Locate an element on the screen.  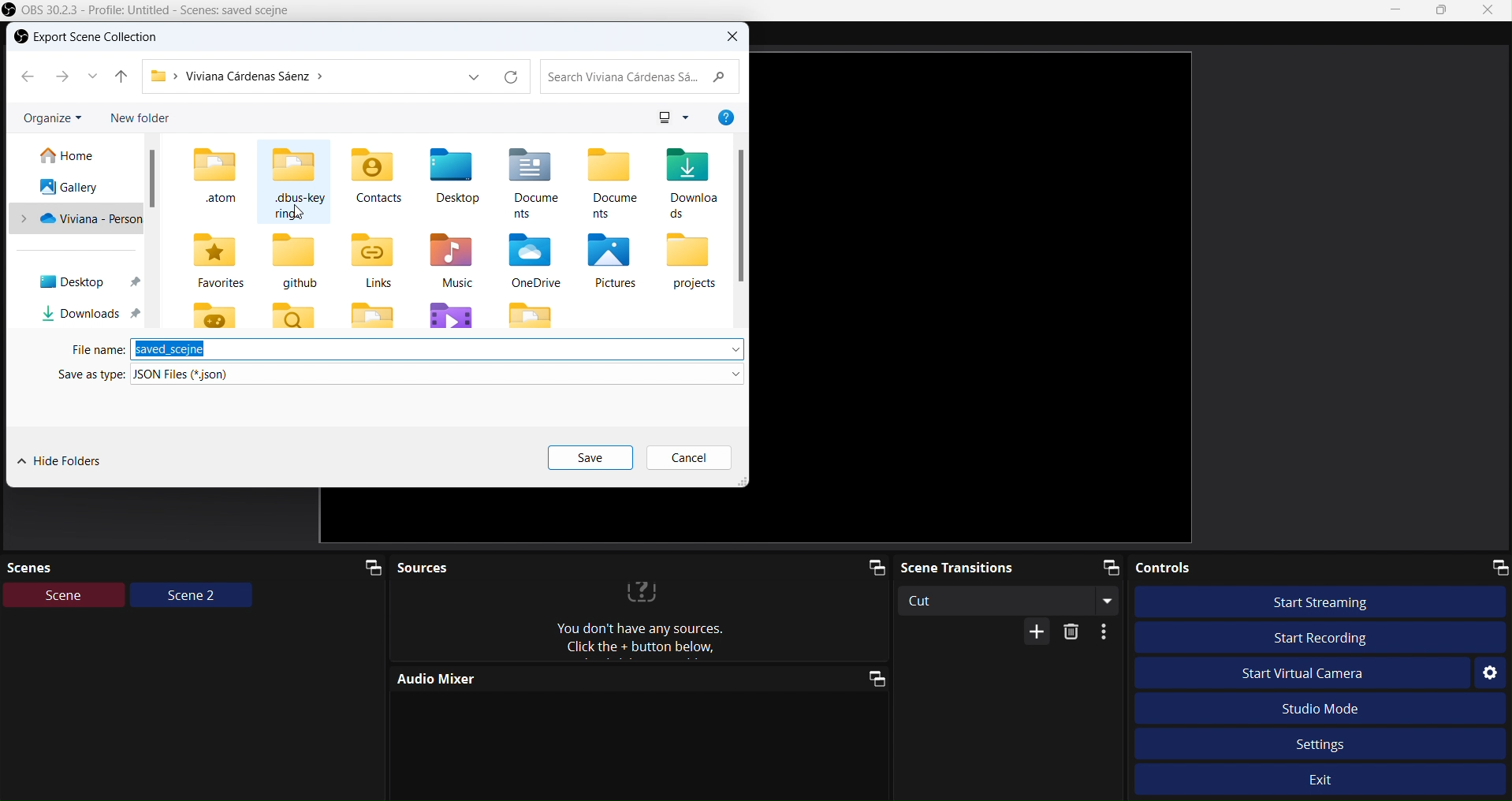
Favorites is located at coordinates (214, 262).